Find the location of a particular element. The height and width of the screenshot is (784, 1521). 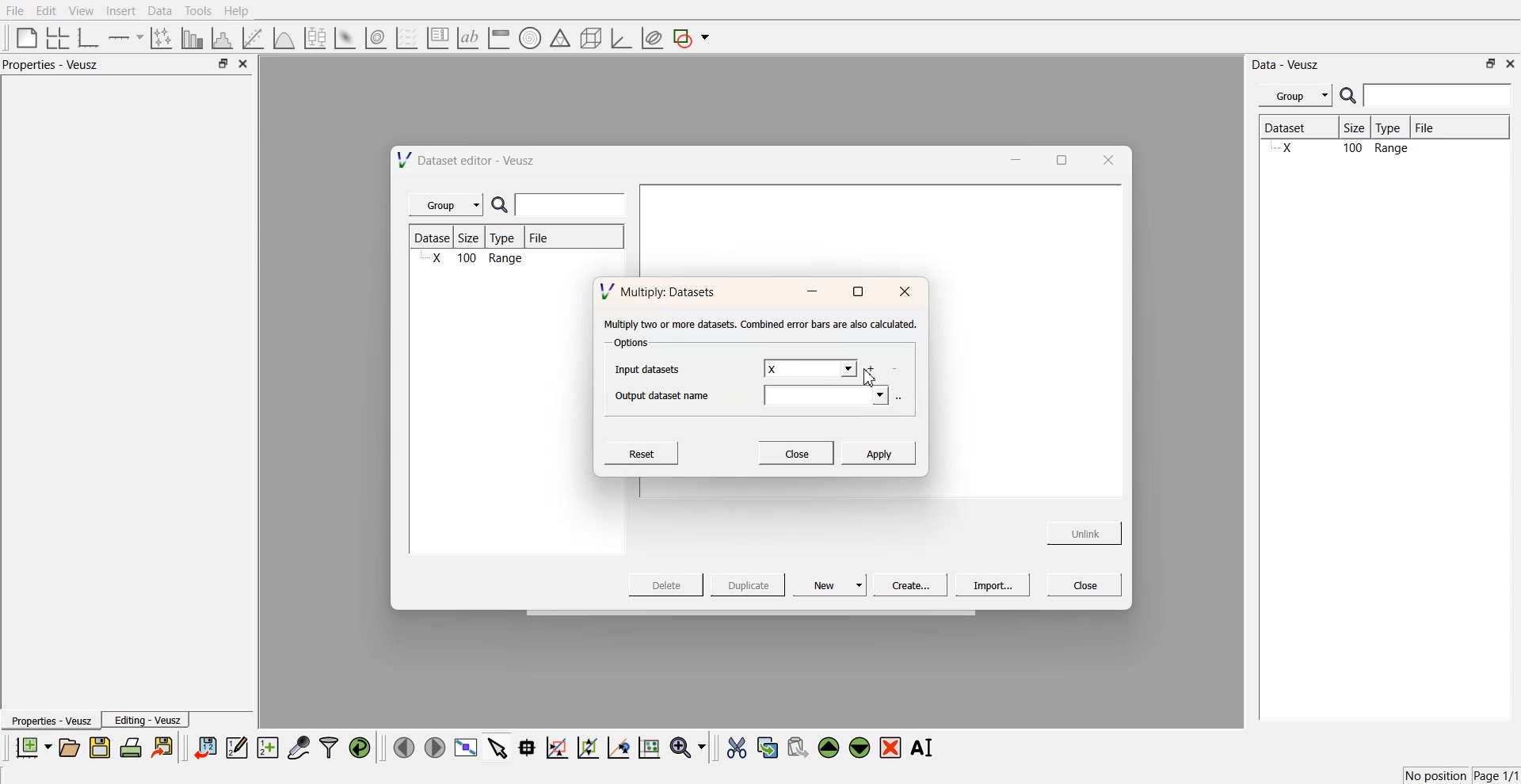

plot covariance ellipses is located at coordinates (651, 39).